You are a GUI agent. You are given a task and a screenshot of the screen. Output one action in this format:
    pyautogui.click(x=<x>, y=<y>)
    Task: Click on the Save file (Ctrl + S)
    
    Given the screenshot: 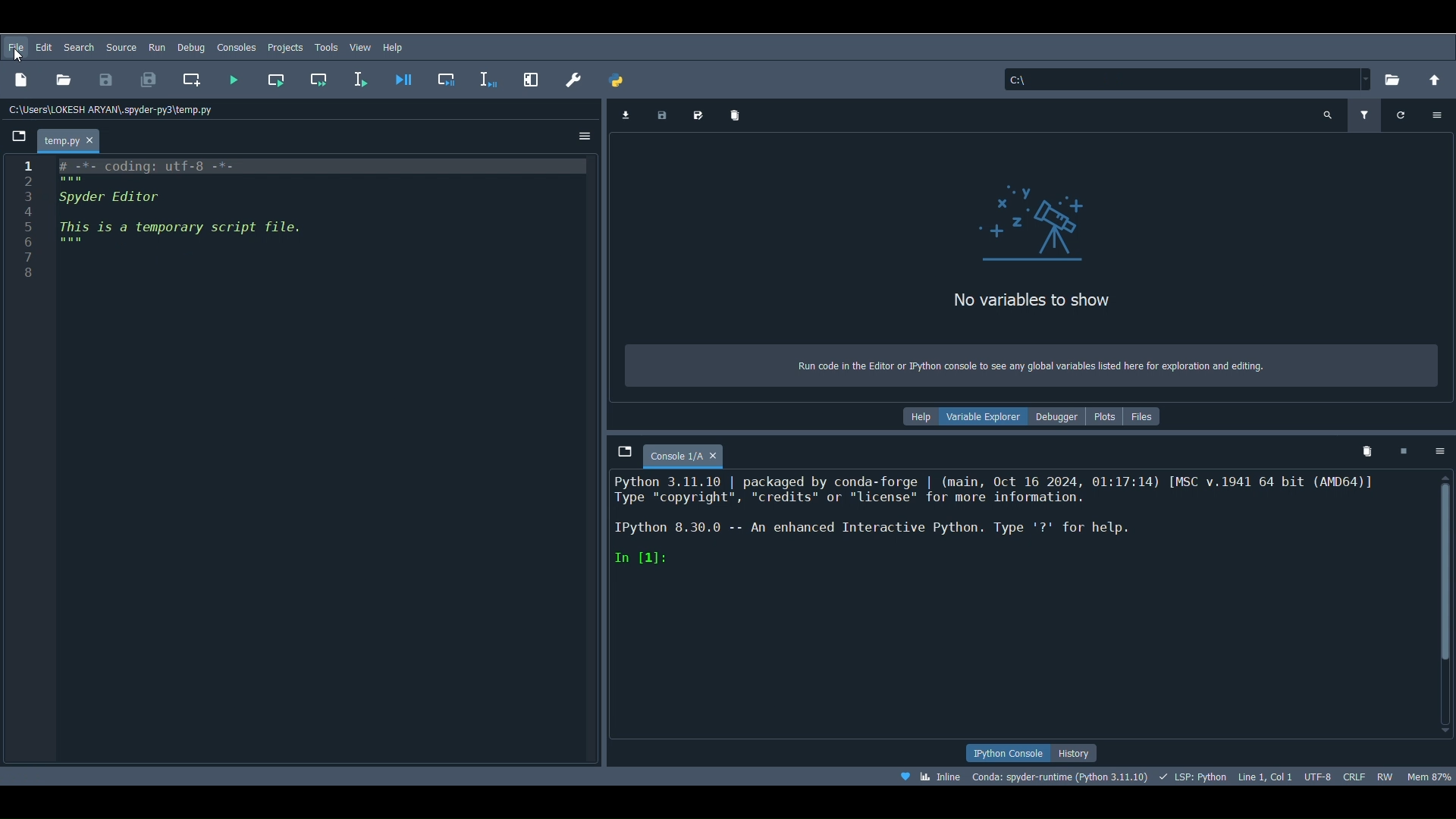 What is the action you would take?
    pyautogui.click(x=108, y=78)
    